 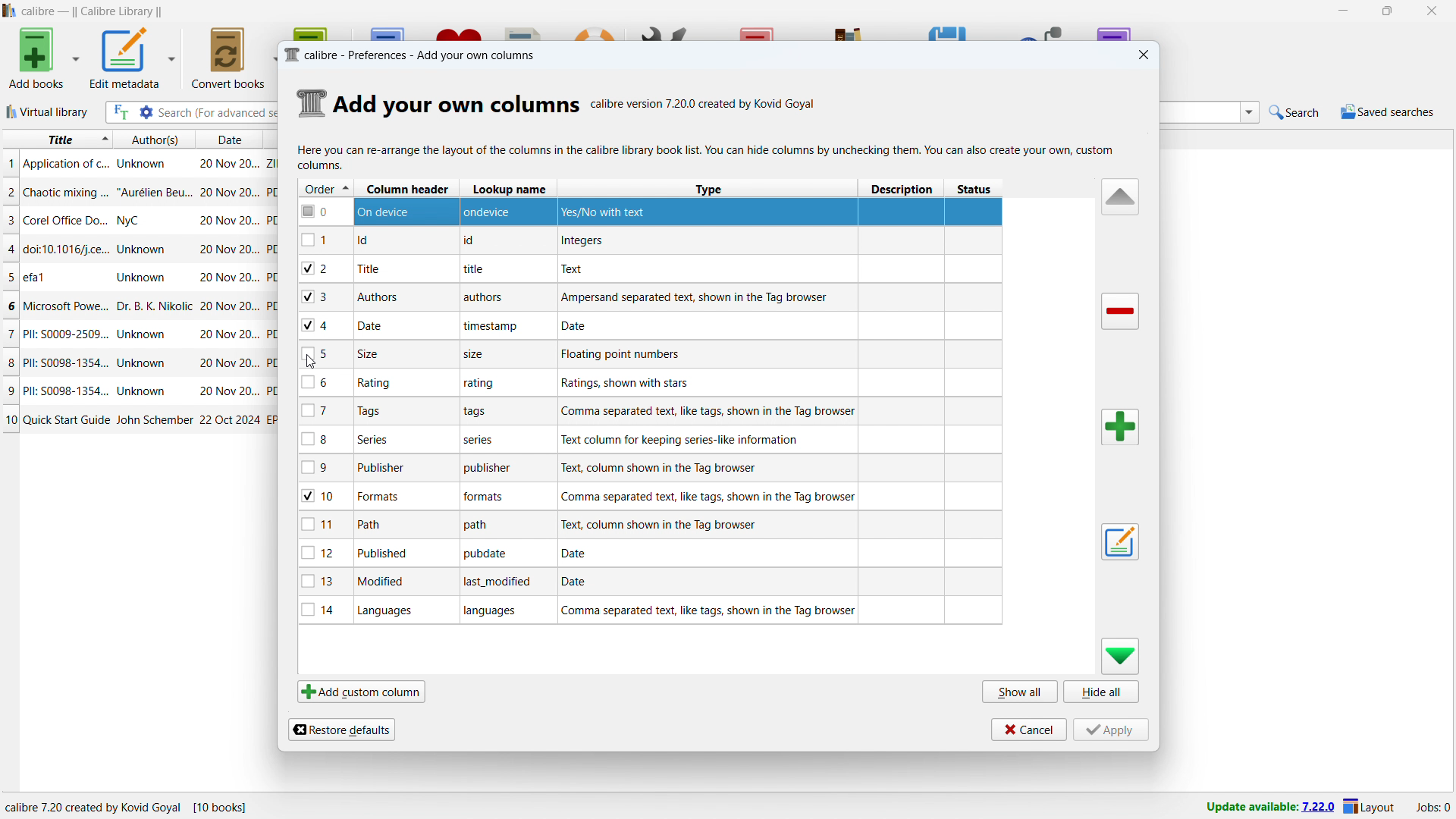 What do you see at coordinates (9, 362) in the screenshot?
I see `8` at bounding box center [9, 362].